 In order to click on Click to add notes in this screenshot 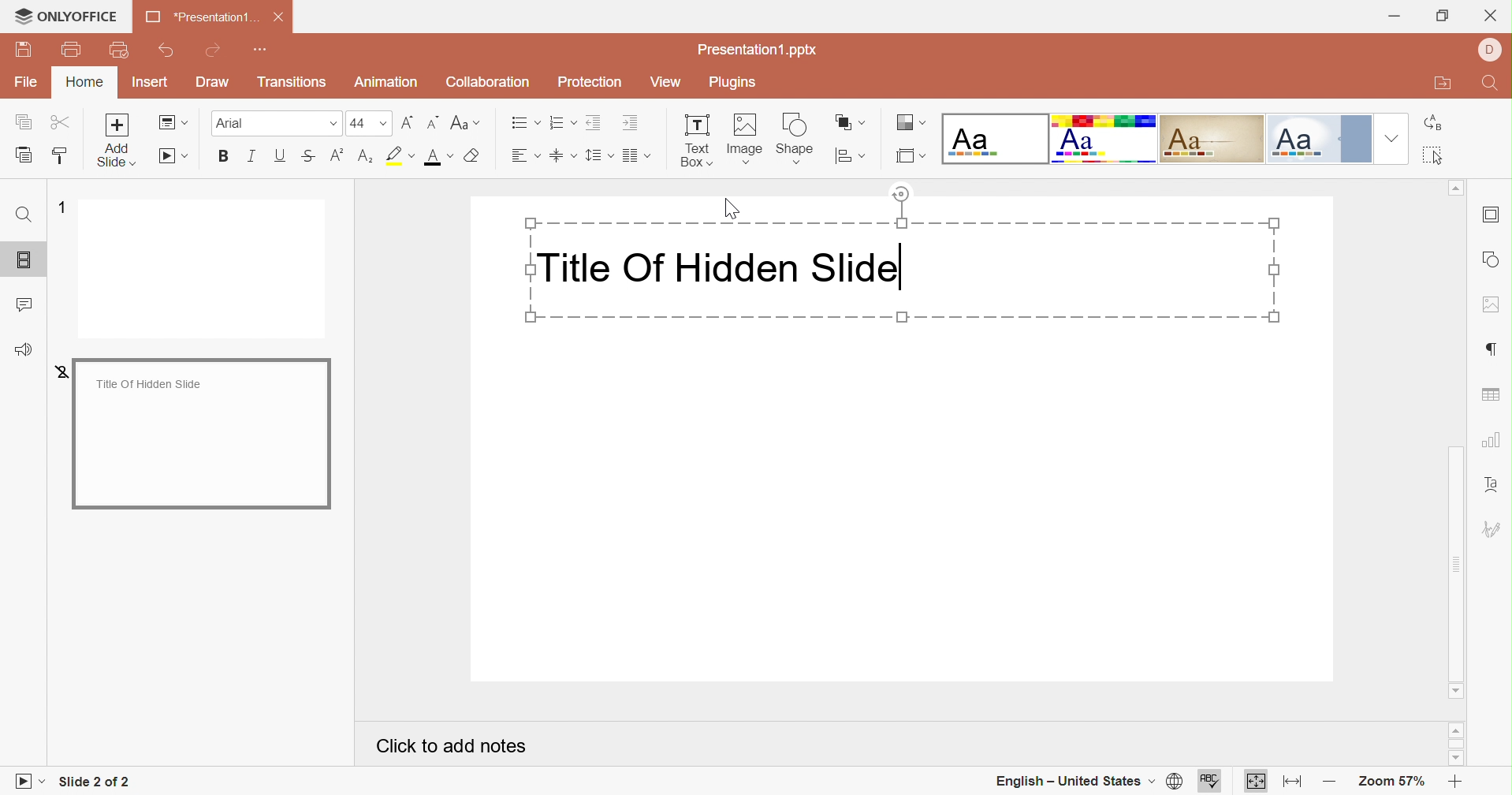, I will do `click(449, 745)`.